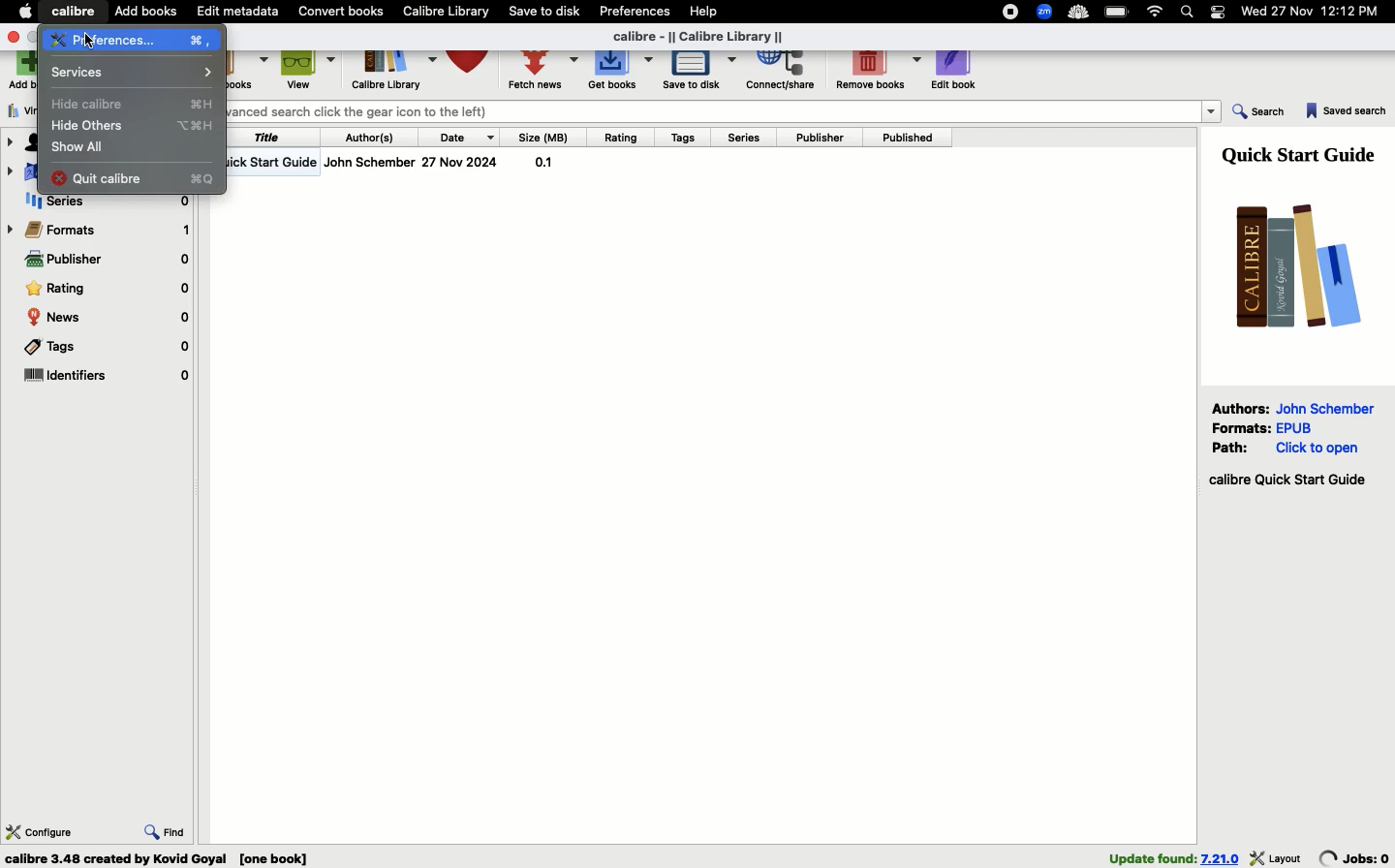 The image size is (1395, 868). I want to click on Services, so click(133, 73).